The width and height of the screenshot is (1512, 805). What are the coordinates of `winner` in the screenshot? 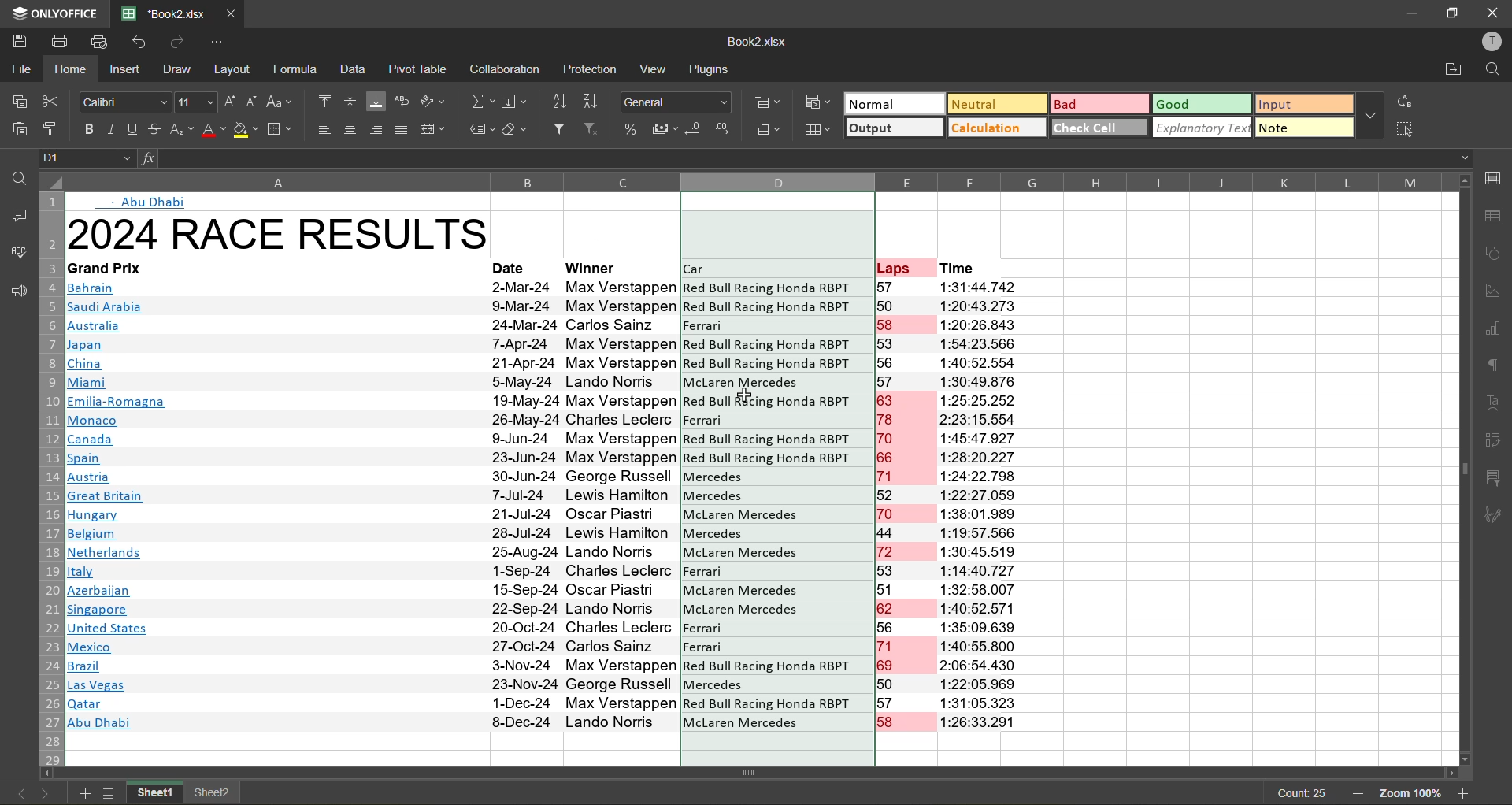 It's located at (591, 269).